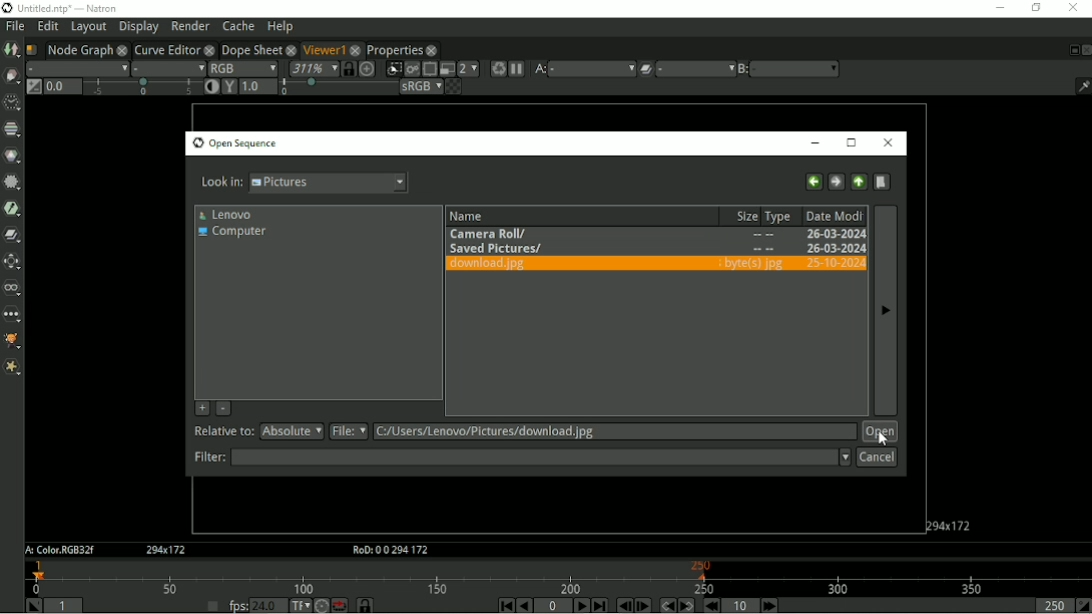 The width and height of the screenshot is (1092, 614). What do you see at coordinates (666, 605) in the screenshot?
I see `Previous keyframe` at bounding box center [666, 605].